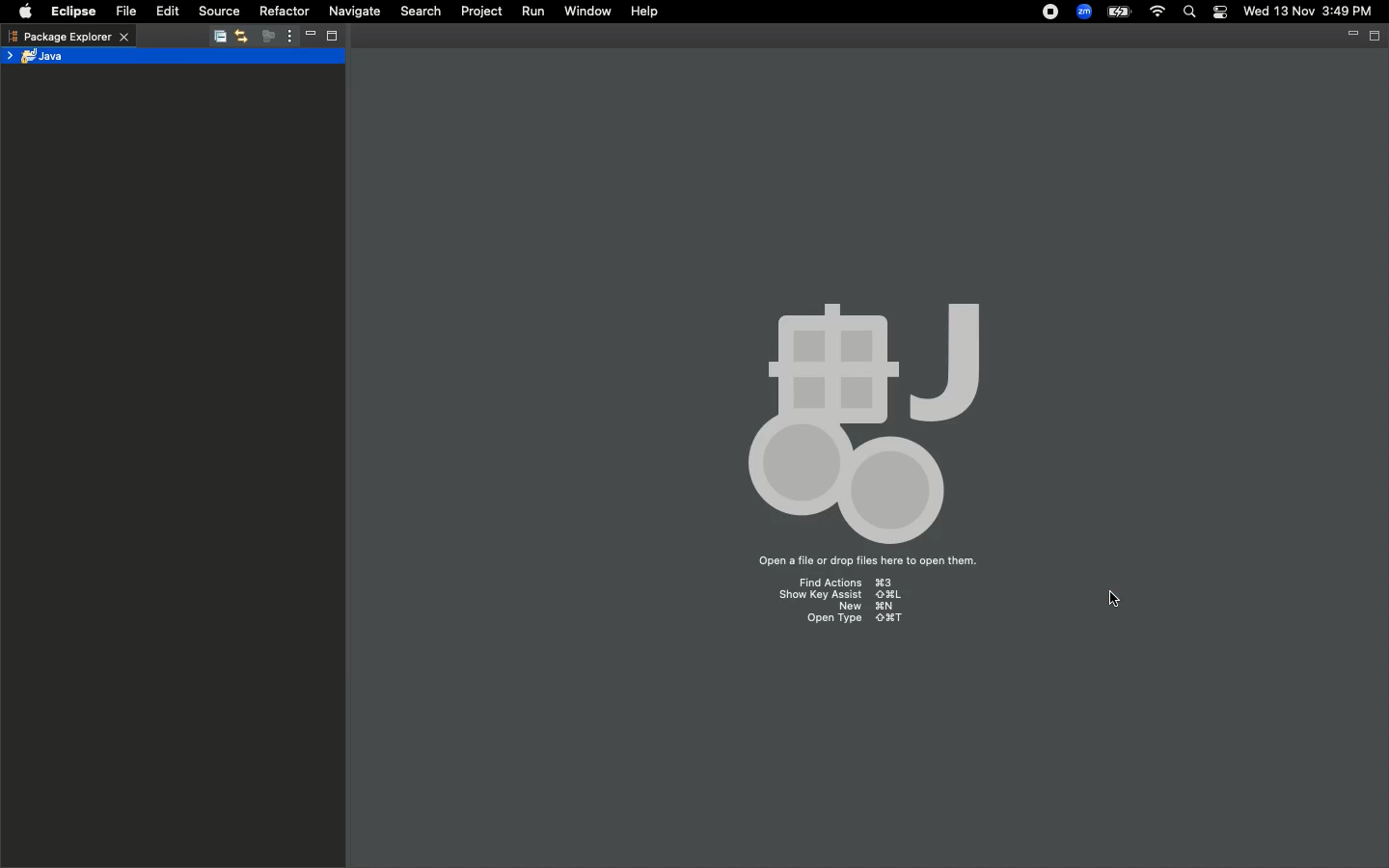 This screenshot has height=868, width=1389. What do you see at coordinates (338, 38) in the screenshot?
I see `Maximize` at bounding box center [338, 38].